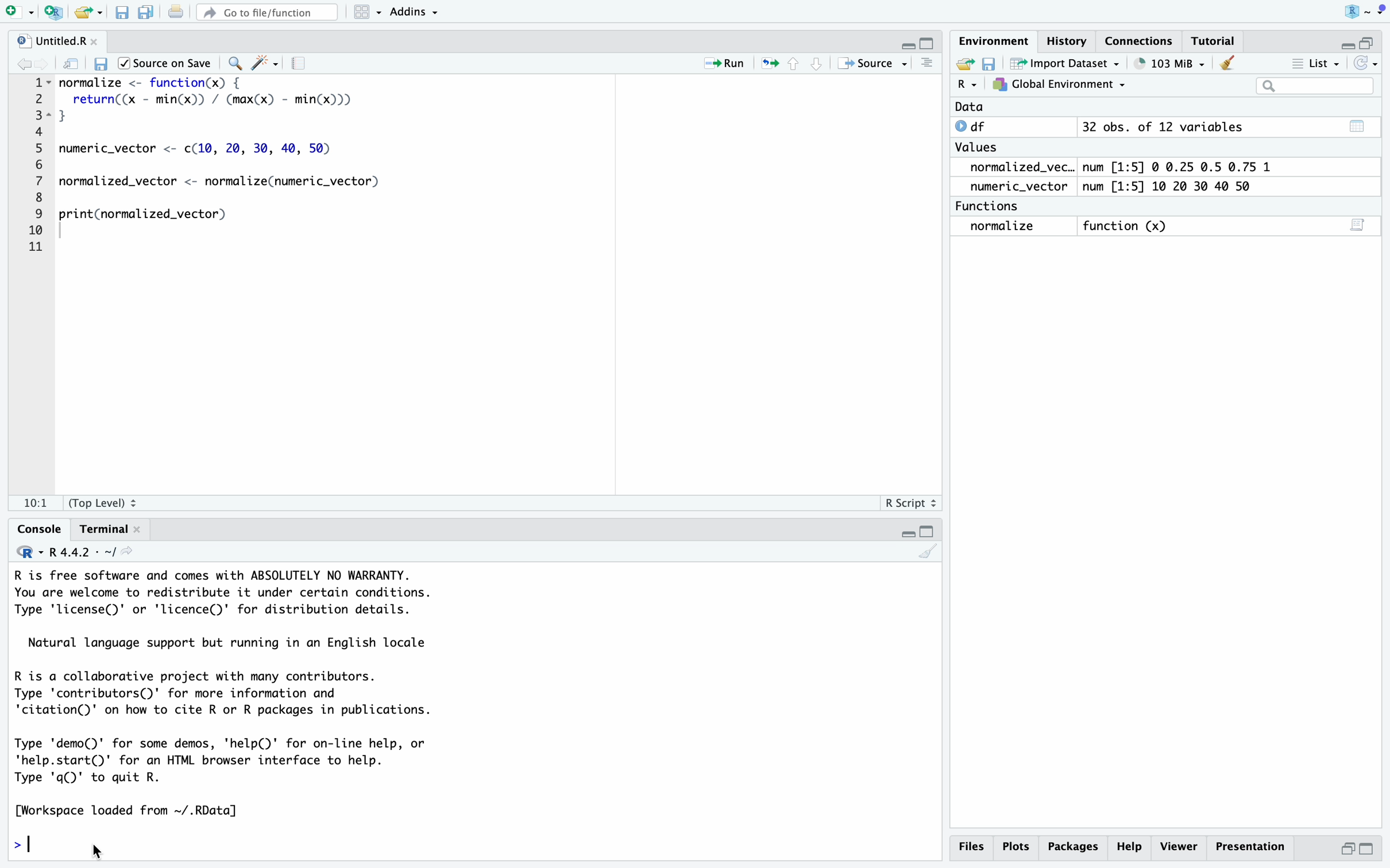  I want to click on Addins, so click(421, 14).